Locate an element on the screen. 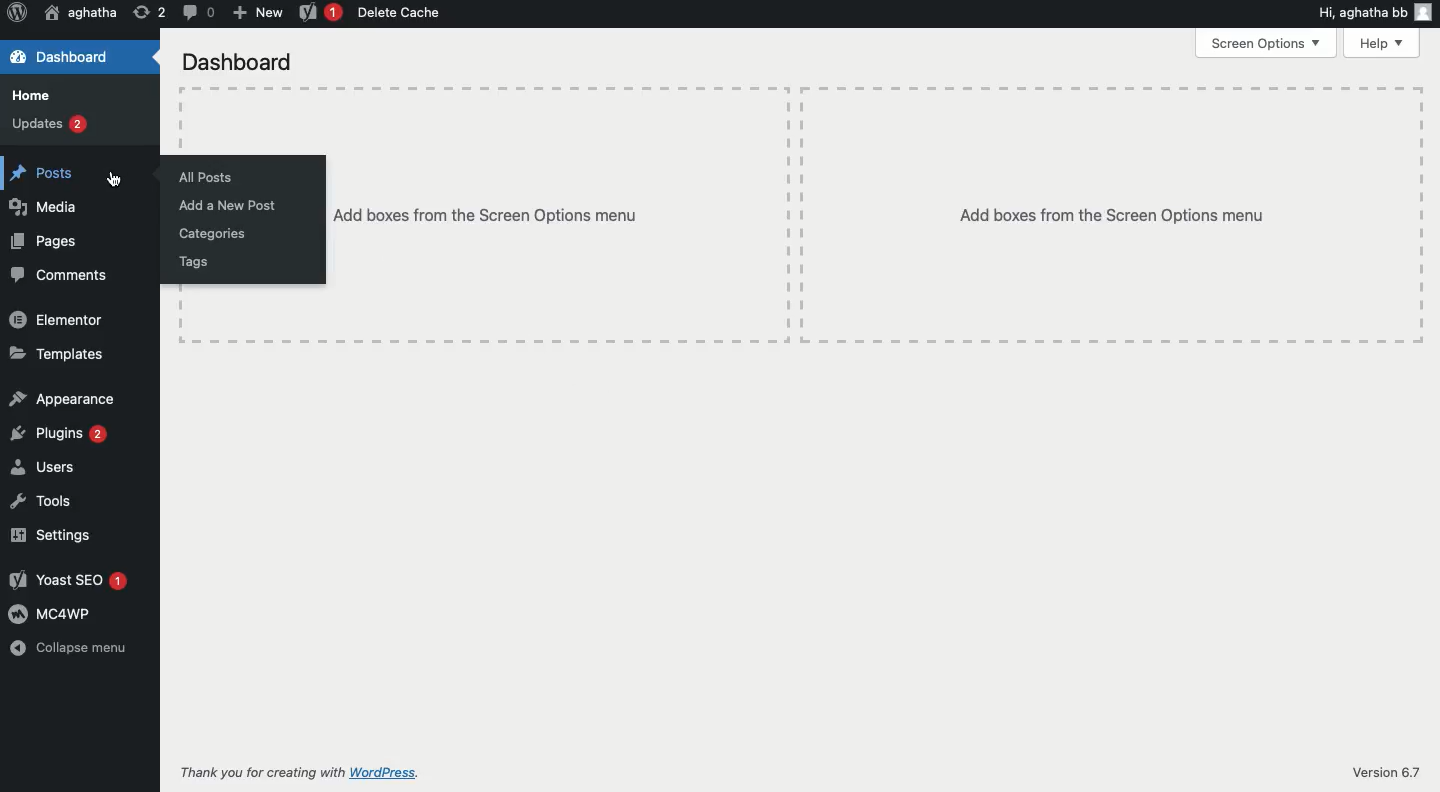 This screenshot has width=1440, height=792. Delete Cache is located at coordinates (399, 14).